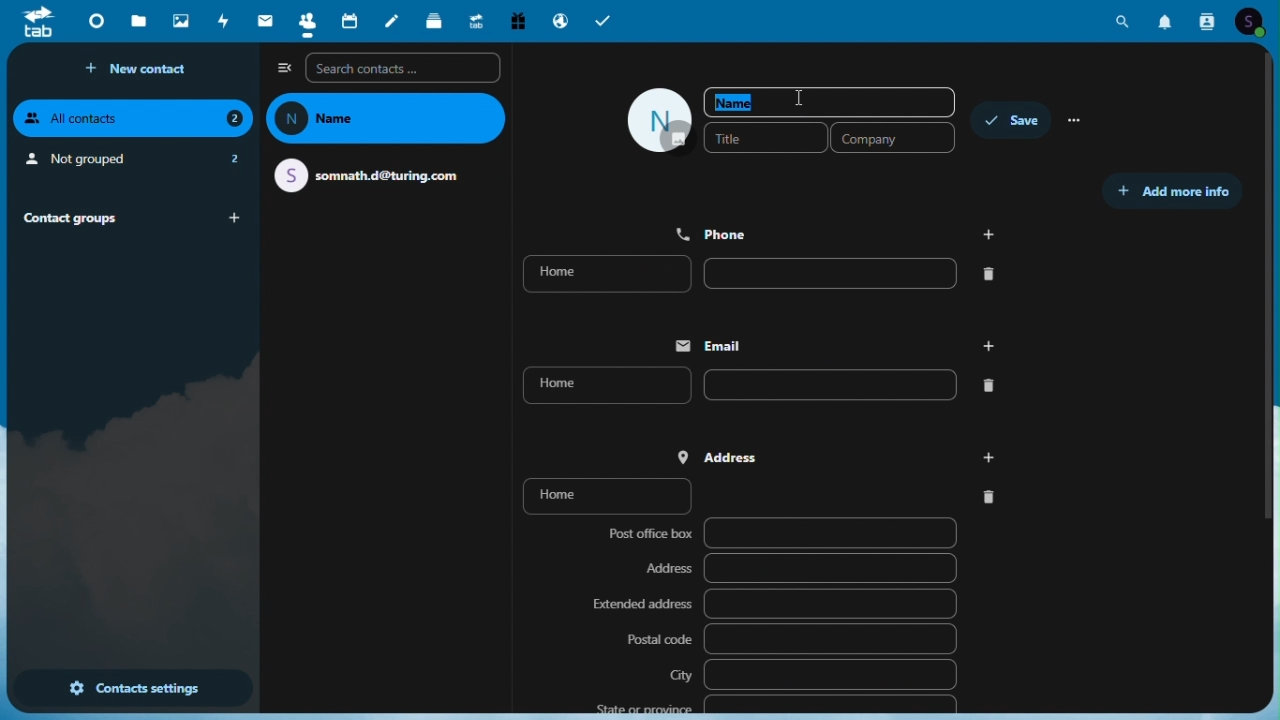 The height and width of the screenshot is (720, 1280). I want to click on name, so click(388, 119).